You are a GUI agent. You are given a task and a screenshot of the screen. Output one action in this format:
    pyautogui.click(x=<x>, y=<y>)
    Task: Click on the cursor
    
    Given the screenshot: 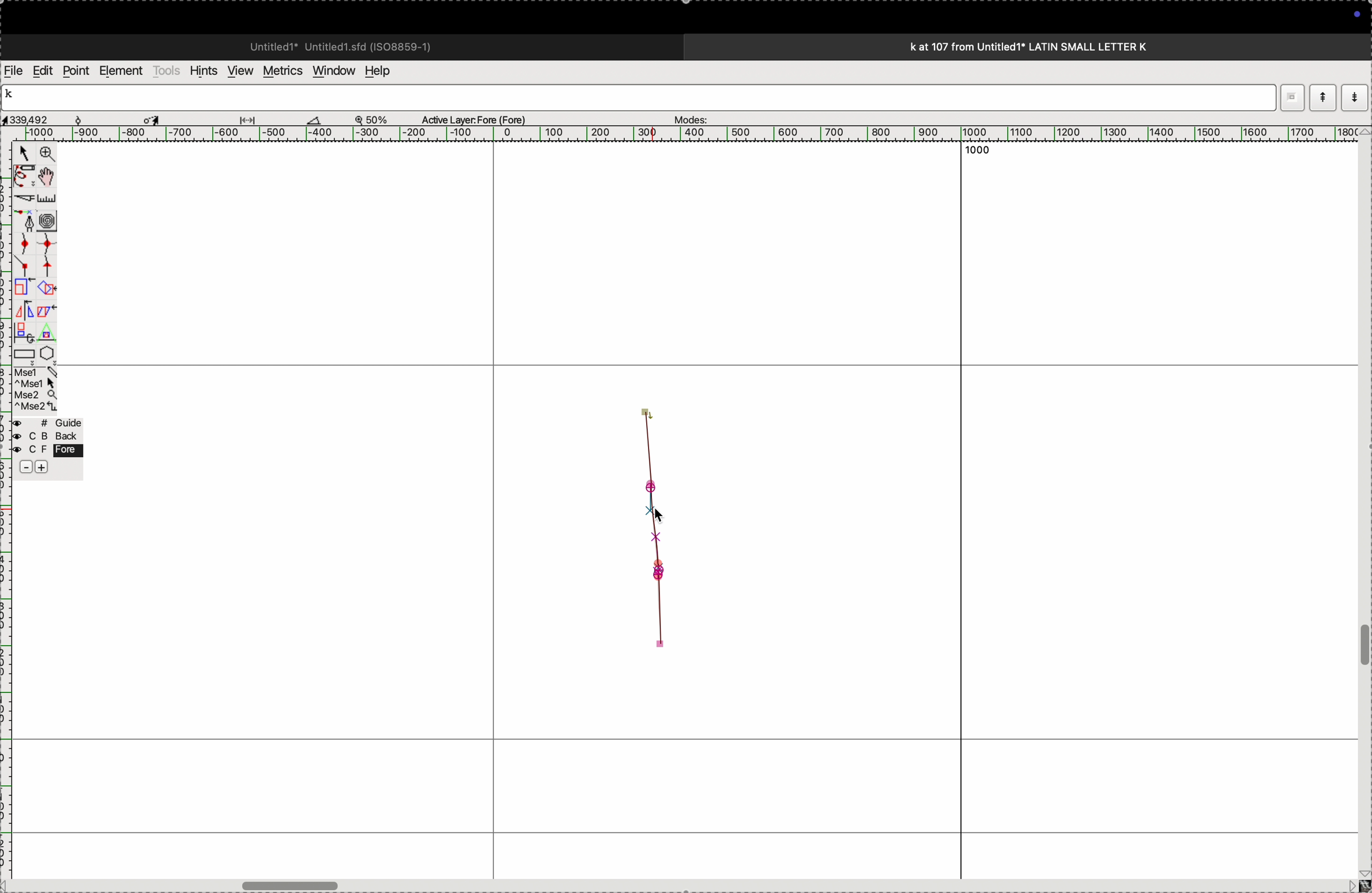 What is the action you would take?
    pyautogui.click(x=24, y=155)
    